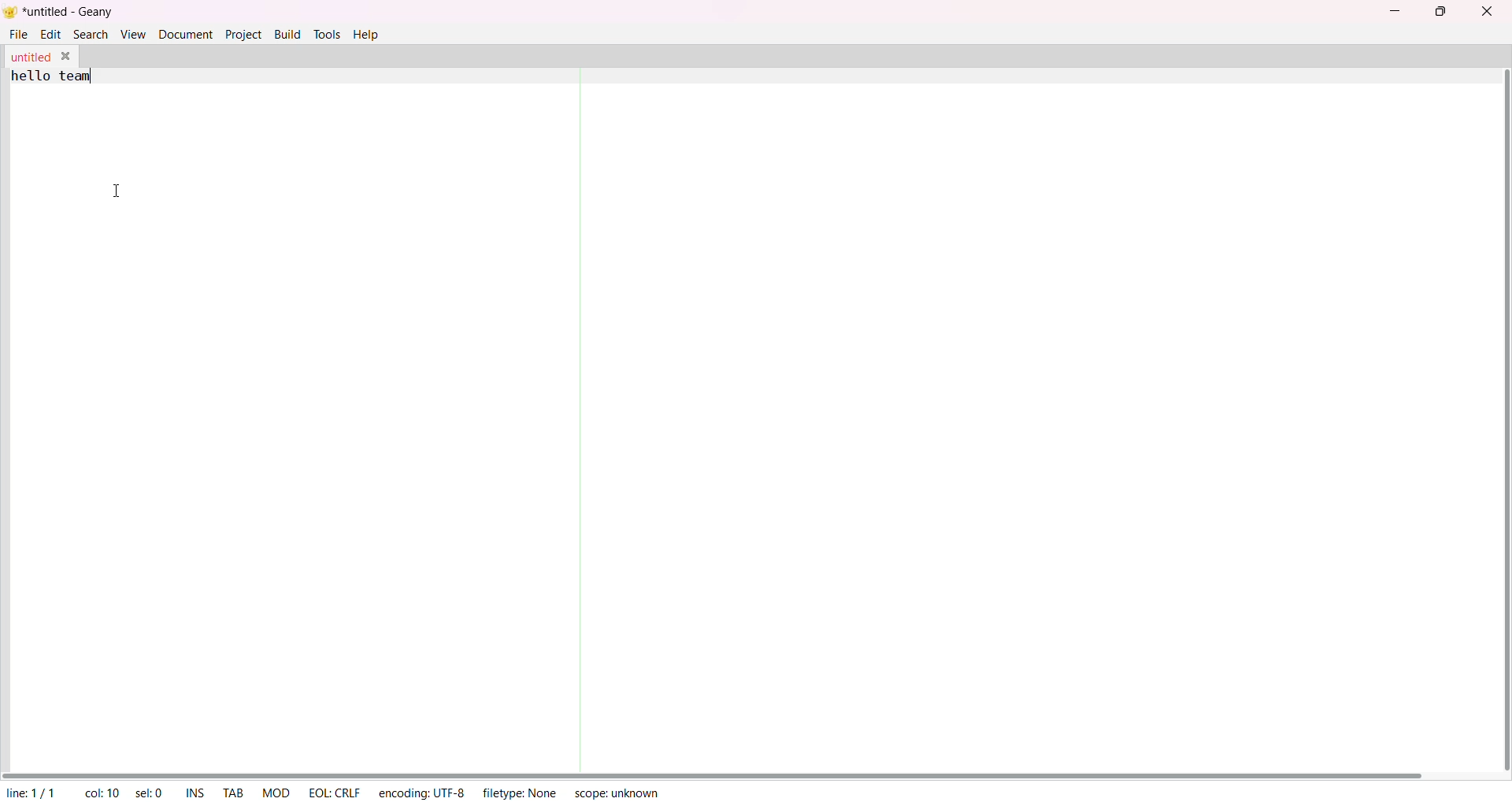 Image resolution: width=1512 pixels, height=802 pixels. I want to click on view, so click(133, 35).